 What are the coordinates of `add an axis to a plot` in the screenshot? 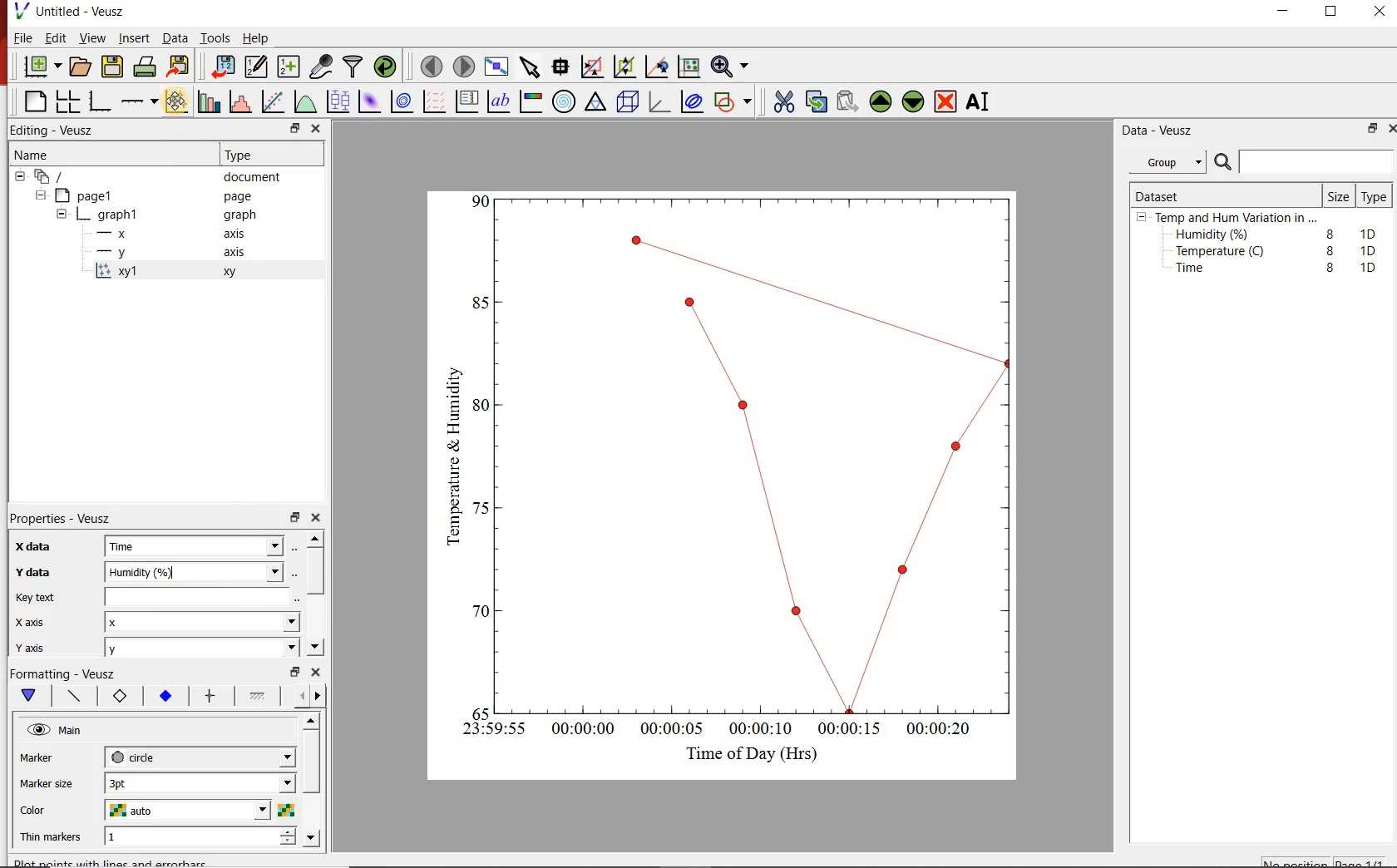 It's located at (141, 100).